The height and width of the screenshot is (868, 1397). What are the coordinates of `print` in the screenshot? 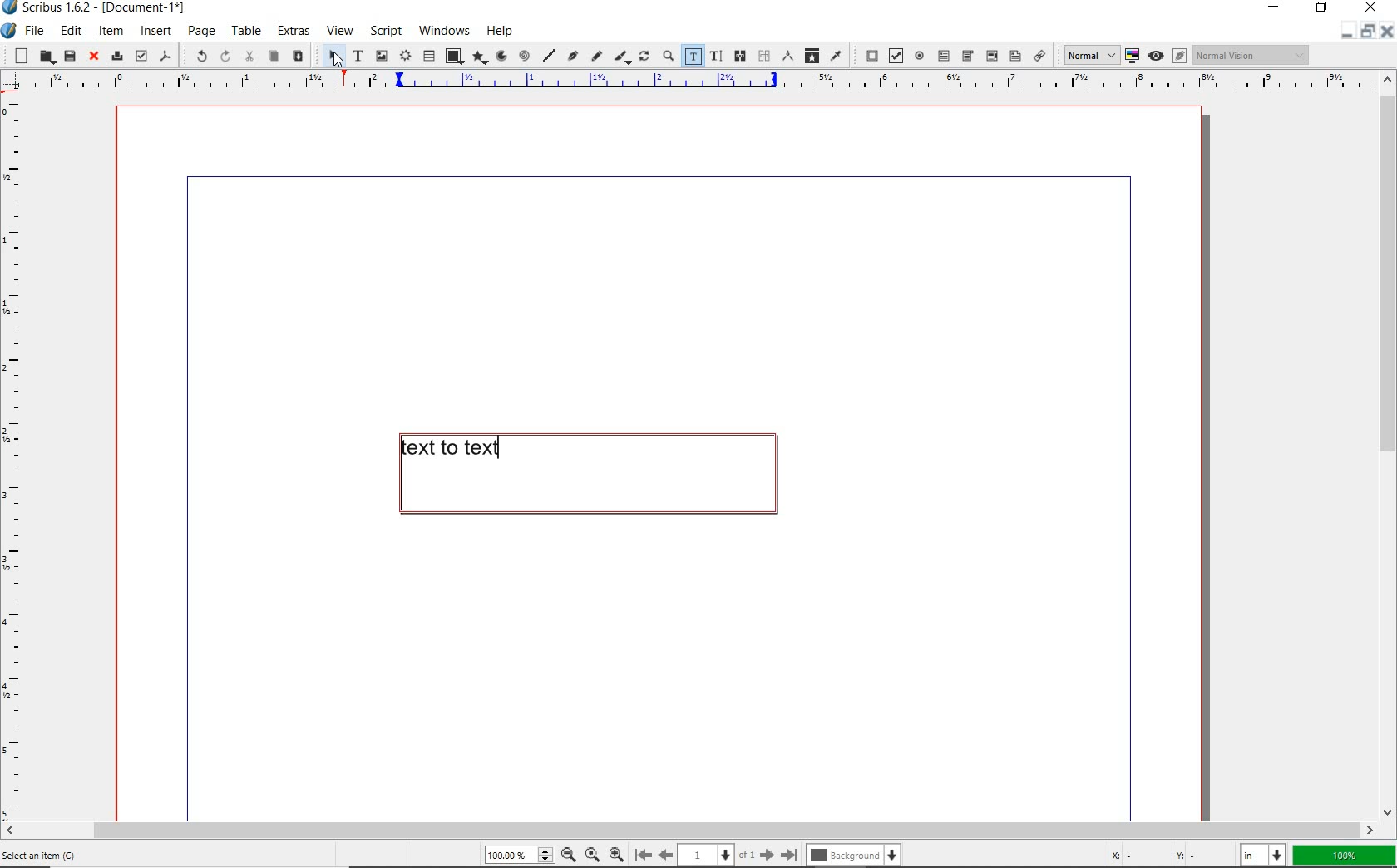 It's located at (116, 55).